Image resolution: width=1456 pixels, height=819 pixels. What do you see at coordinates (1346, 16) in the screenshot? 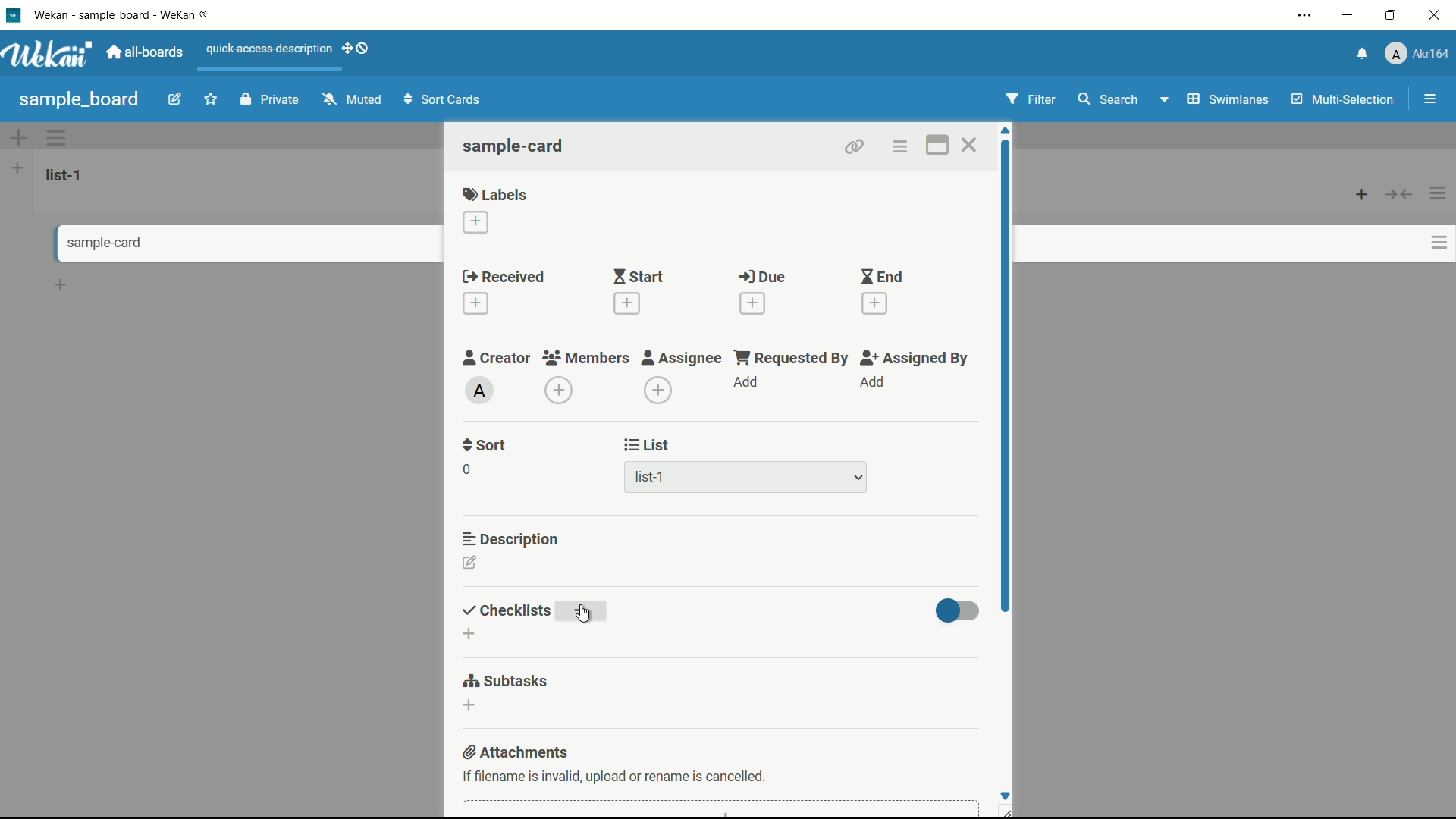
I see `minimize` at bounding box center [1346, 16].